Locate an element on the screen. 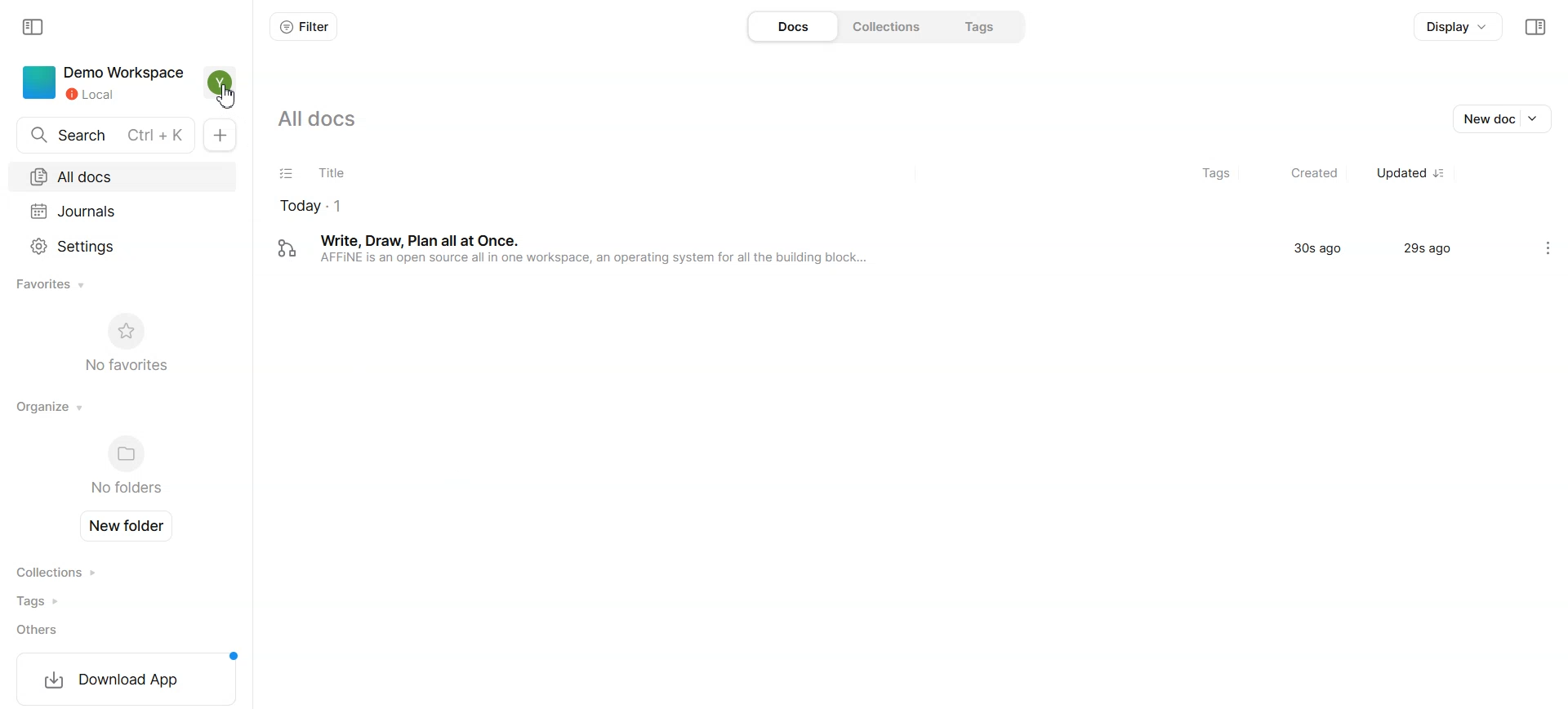 This screenshot has width=1568, height=709. New Doc is located at coordinates (220, 136).